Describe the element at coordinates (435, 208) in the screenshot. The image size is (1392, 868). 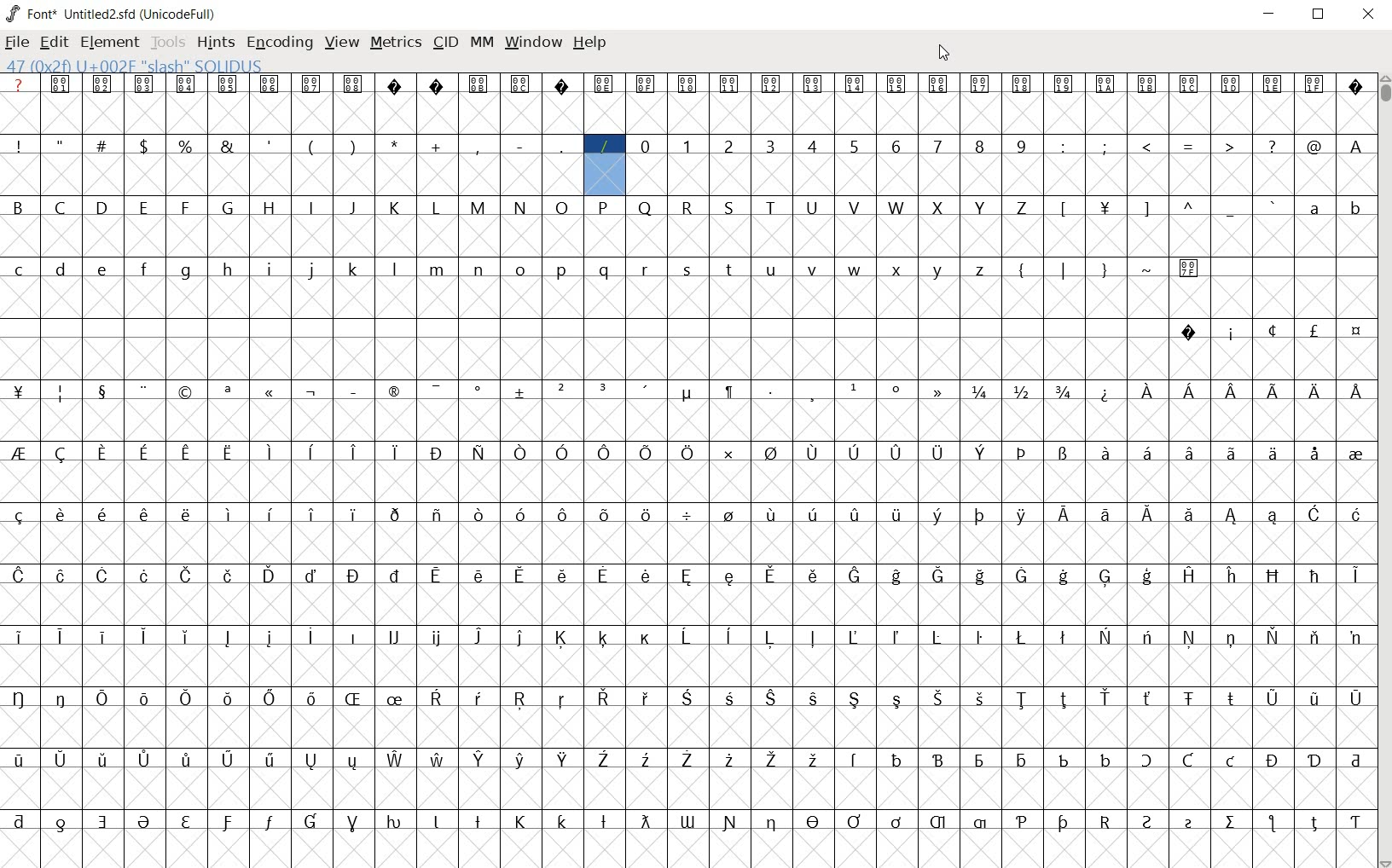
I see `glyph` at that location.